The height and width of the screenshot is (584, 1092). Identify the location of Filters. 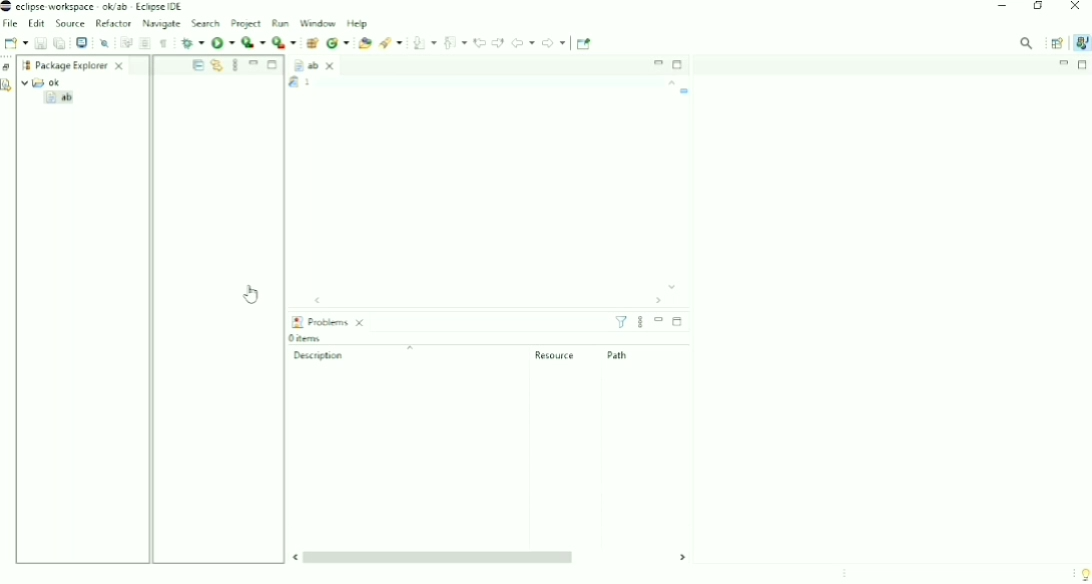
(621, 322).